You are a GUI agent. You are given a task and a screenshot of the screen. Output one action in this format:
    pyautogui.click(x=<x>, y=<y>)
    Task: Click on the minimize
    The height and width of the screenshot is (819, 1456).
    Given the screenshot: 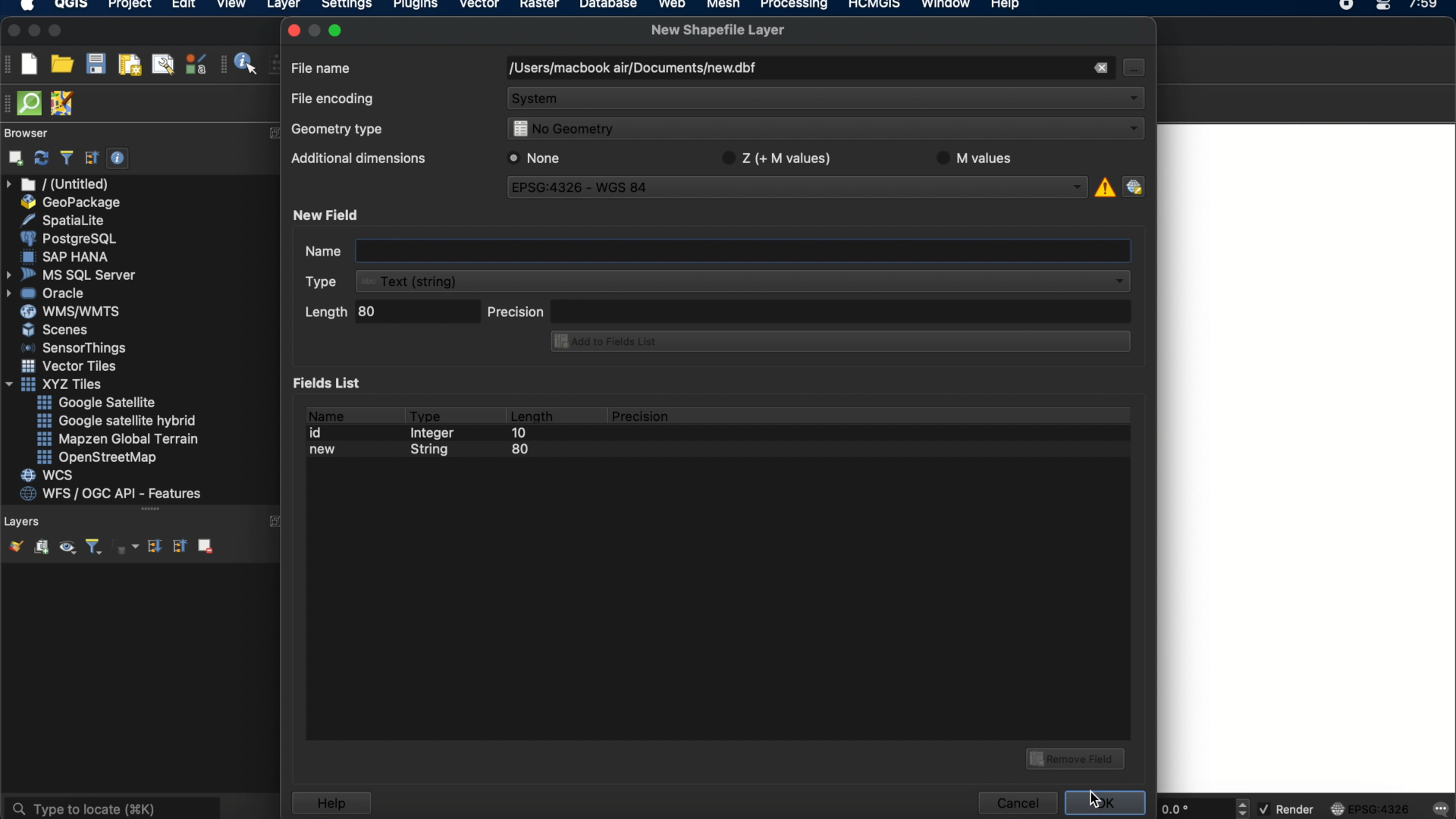 What is the action you would take?
    pyautogui.click(x=34, y=31)
    